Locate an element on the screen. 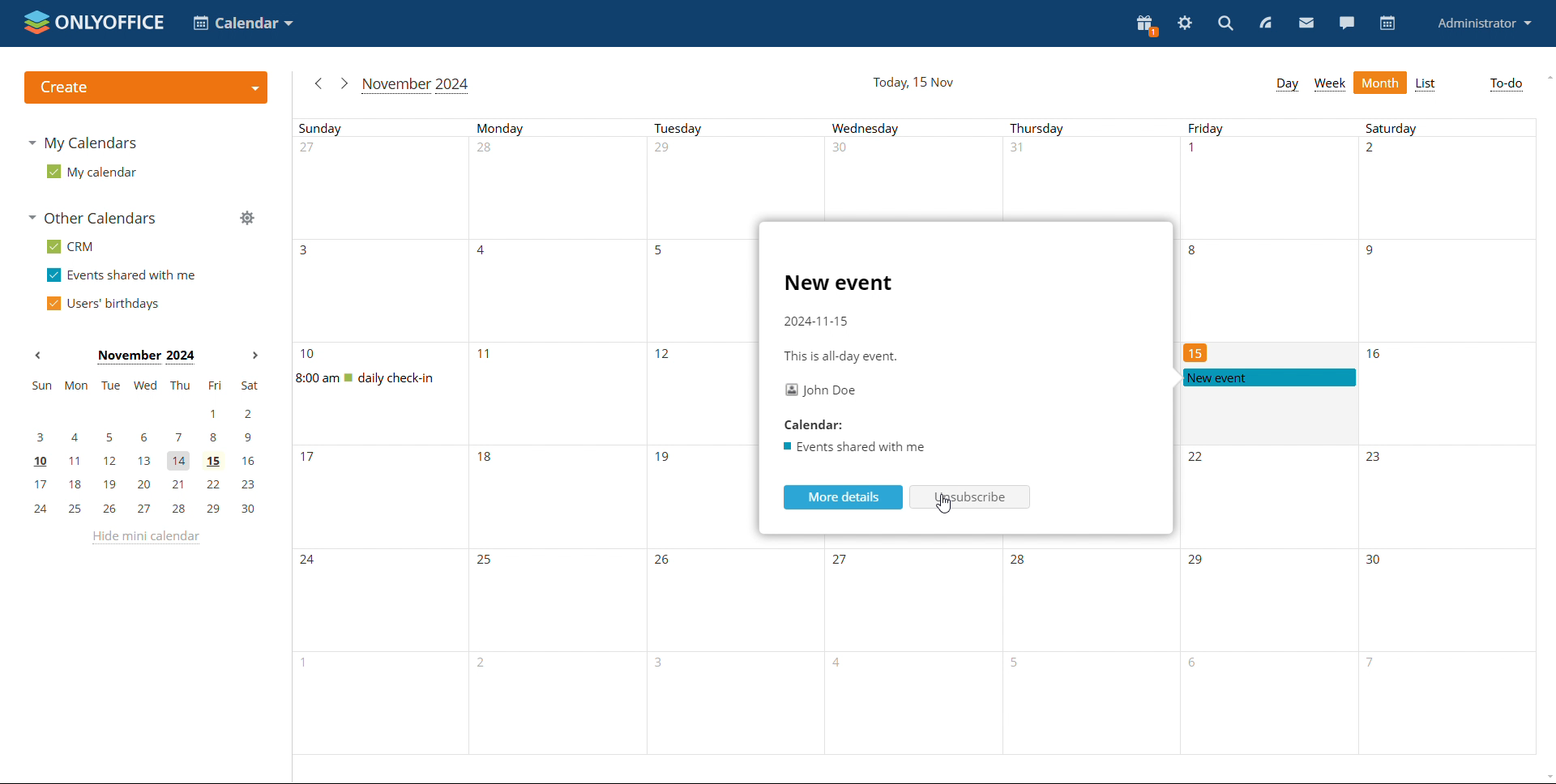 The width and height of the screenshot is (1556, 784). Number is located at coordinates (308, 460).